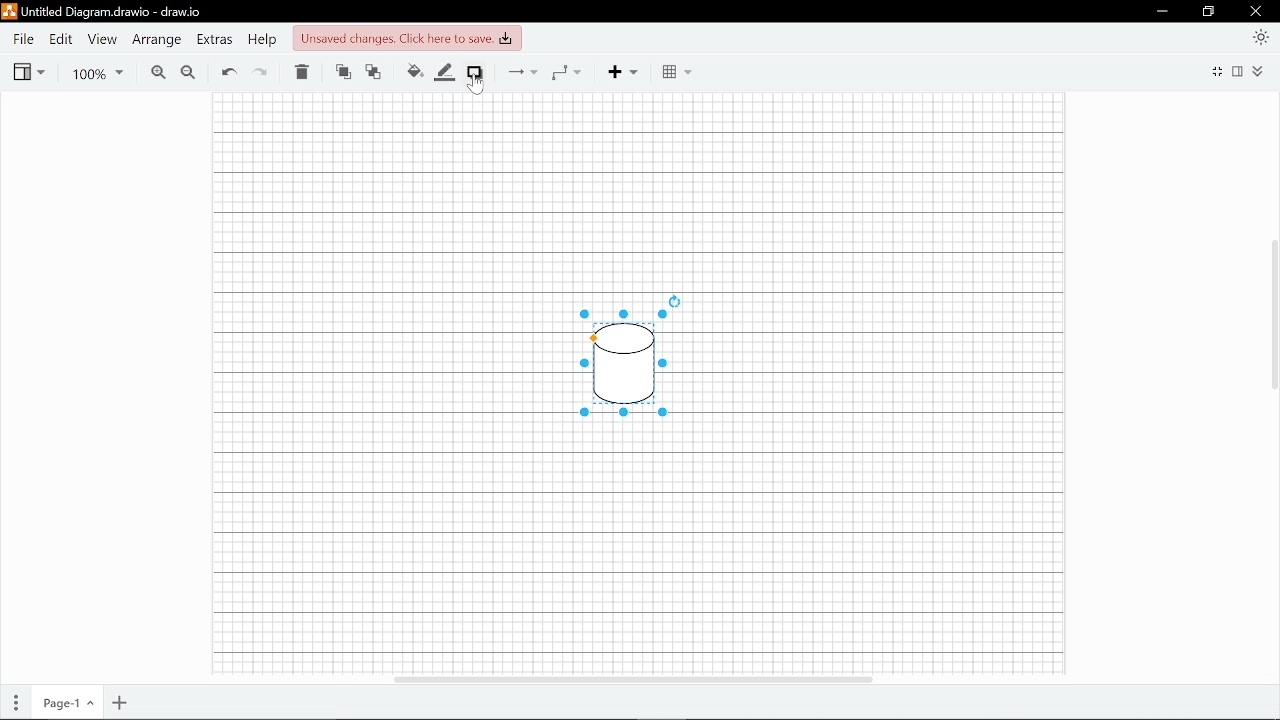 The height and width of the screenshot is (720, 1280). What do you see at coordinates (155, 40) in the screenshot?
I see `Arrange` at bounding box center [155, 40].